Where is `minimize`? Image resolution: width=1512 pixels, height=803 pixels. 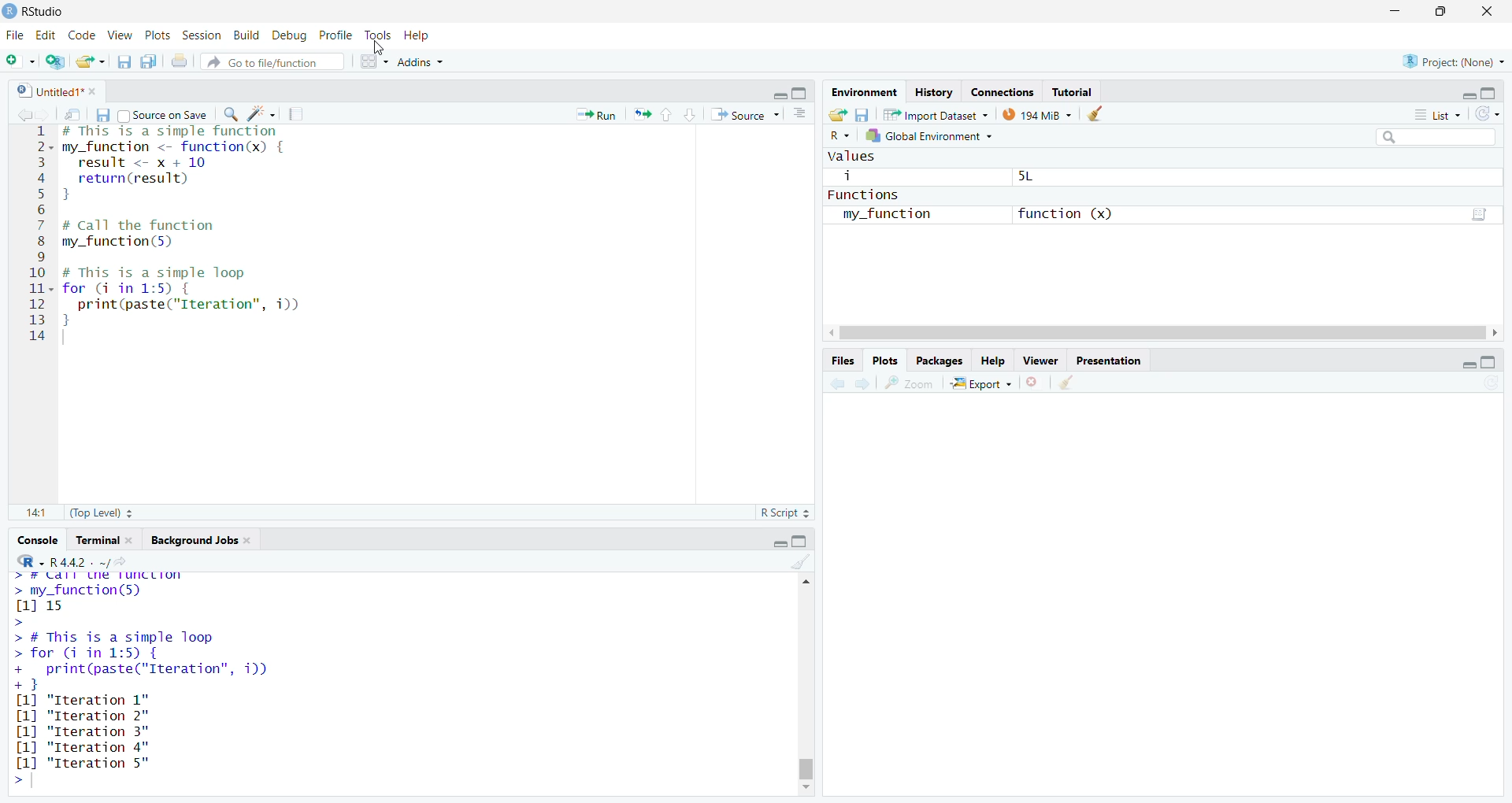
minimize is located at coordinates (776, 541).